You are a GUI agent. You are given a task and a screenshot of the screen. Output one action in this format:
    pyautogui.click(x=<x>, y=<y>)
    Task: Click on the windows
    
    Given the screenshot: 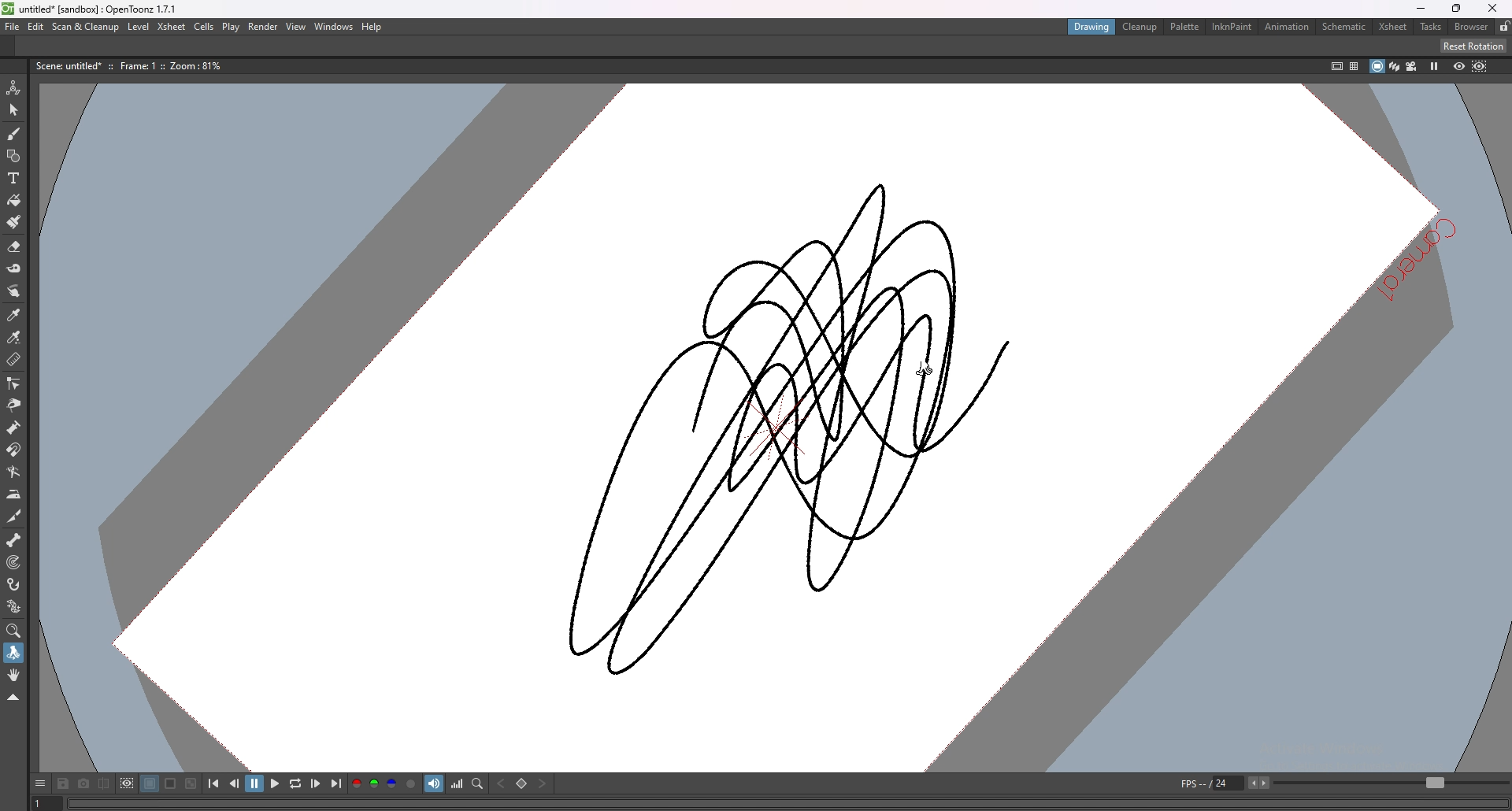 What is the action you would take?
    pyautogui.click(x=333, y=26)
    